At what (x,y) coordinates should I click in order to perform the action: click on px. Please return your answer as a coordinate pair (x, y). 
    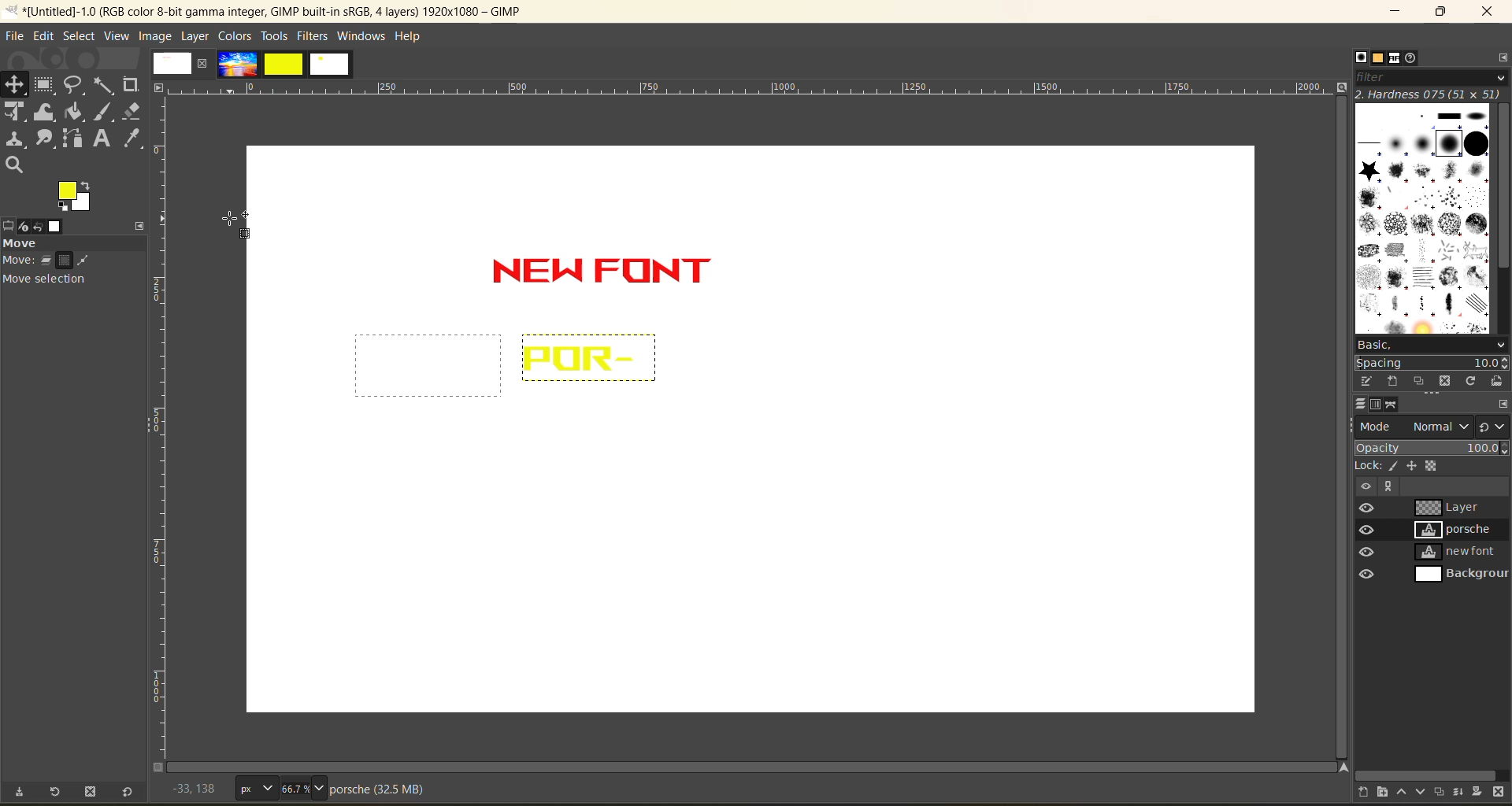
    Looking at the image, I should click on (254, 788).